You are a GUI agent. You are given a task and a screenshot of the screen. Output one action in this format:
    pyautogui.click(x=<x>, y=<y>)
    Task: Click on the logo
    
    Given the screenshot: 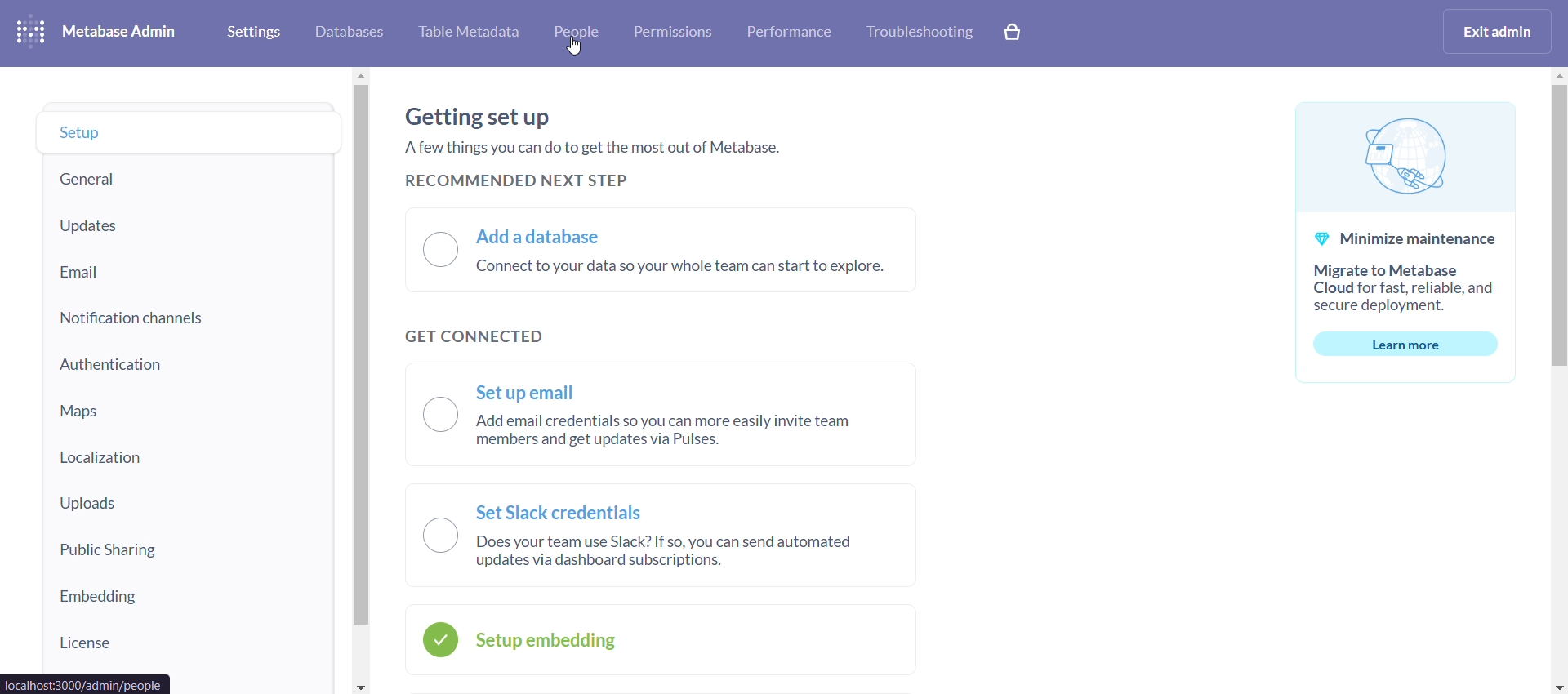 What is the action you would take?
    pyautogui.click(x=34, y=33)
    